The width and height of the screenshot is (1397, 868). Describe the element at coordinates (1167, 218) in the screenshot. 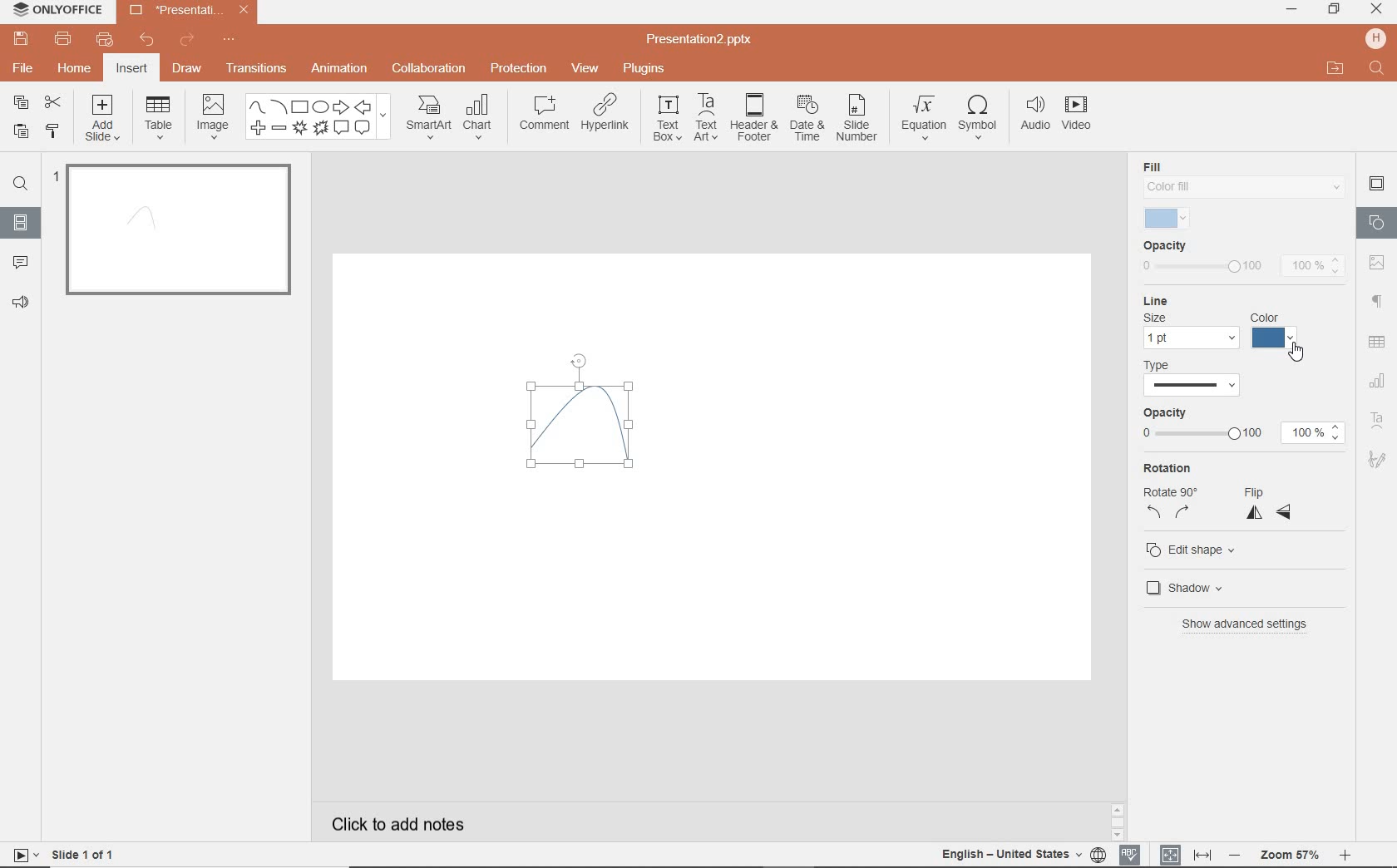

I see `selected fill color` at that location.